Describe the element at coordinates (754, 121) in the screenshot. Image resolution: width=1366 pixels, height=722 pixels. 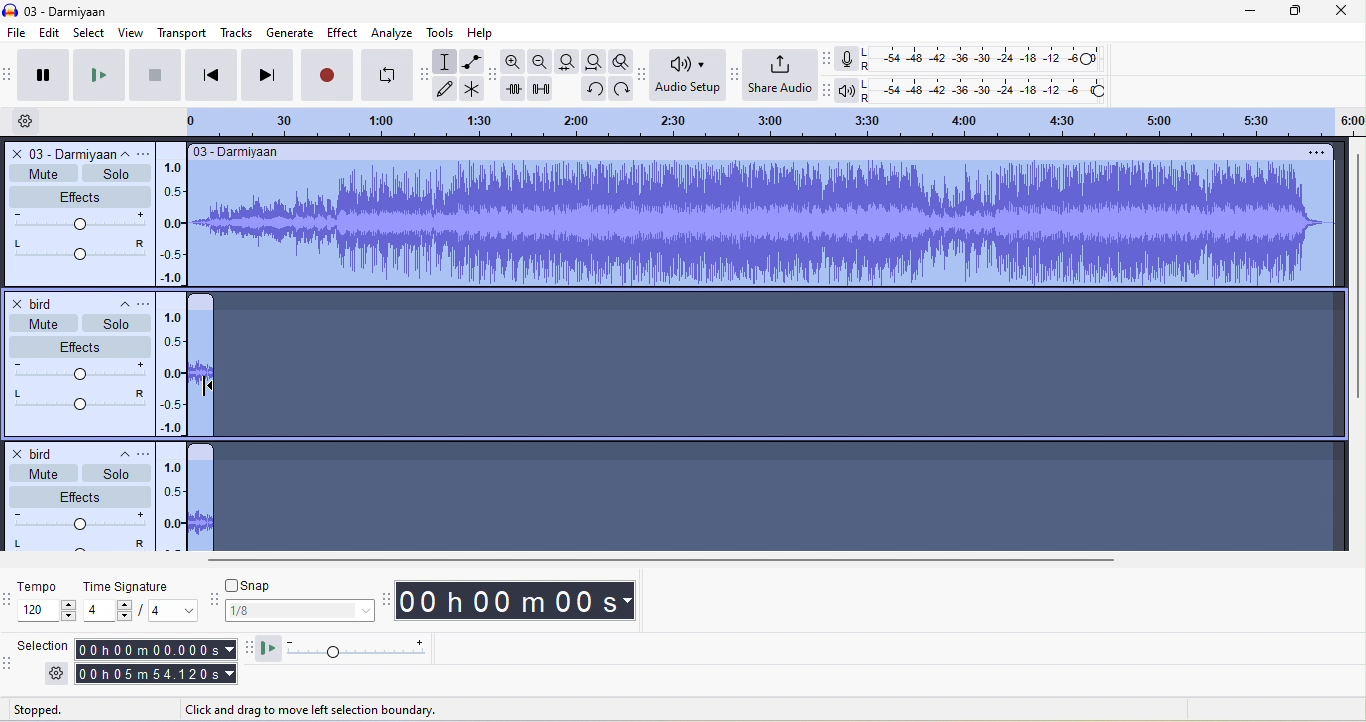
I see `click and drag to define a looping region` at that location.